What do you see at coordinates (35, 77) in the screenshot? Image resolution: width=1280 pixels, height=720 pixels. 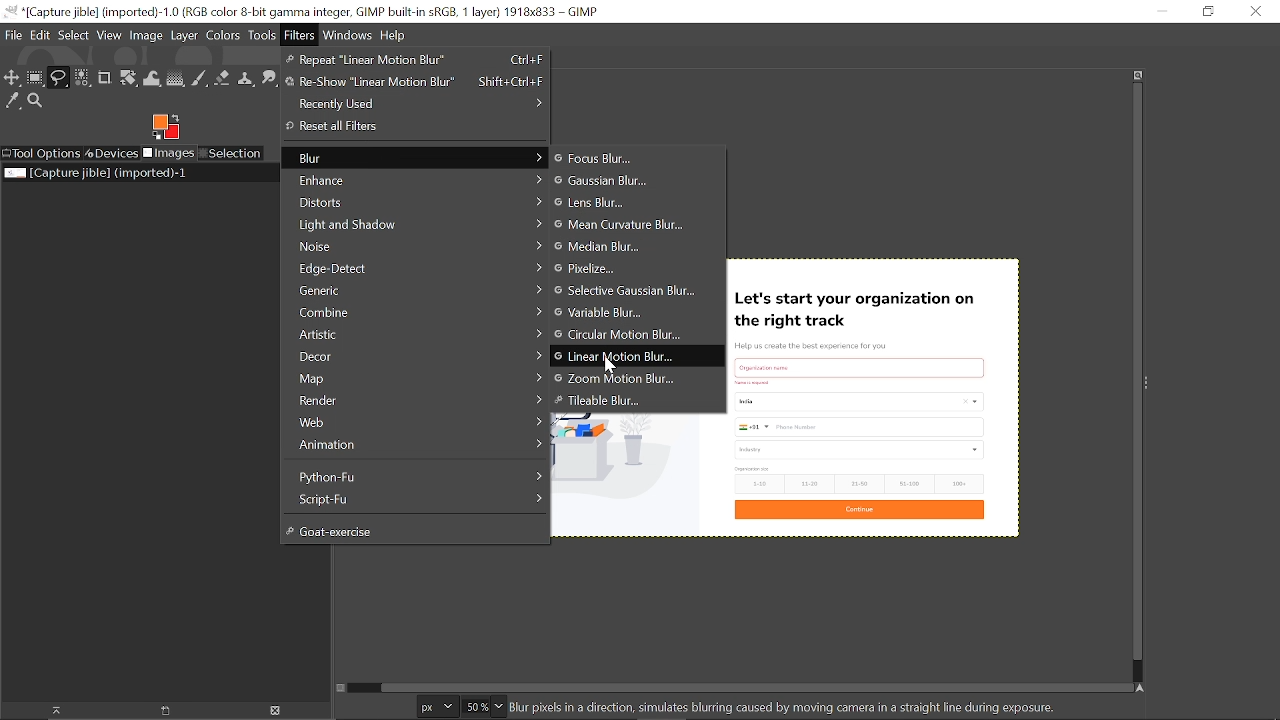 I see `Rectangular select tool` at bounding box center [35, 77].